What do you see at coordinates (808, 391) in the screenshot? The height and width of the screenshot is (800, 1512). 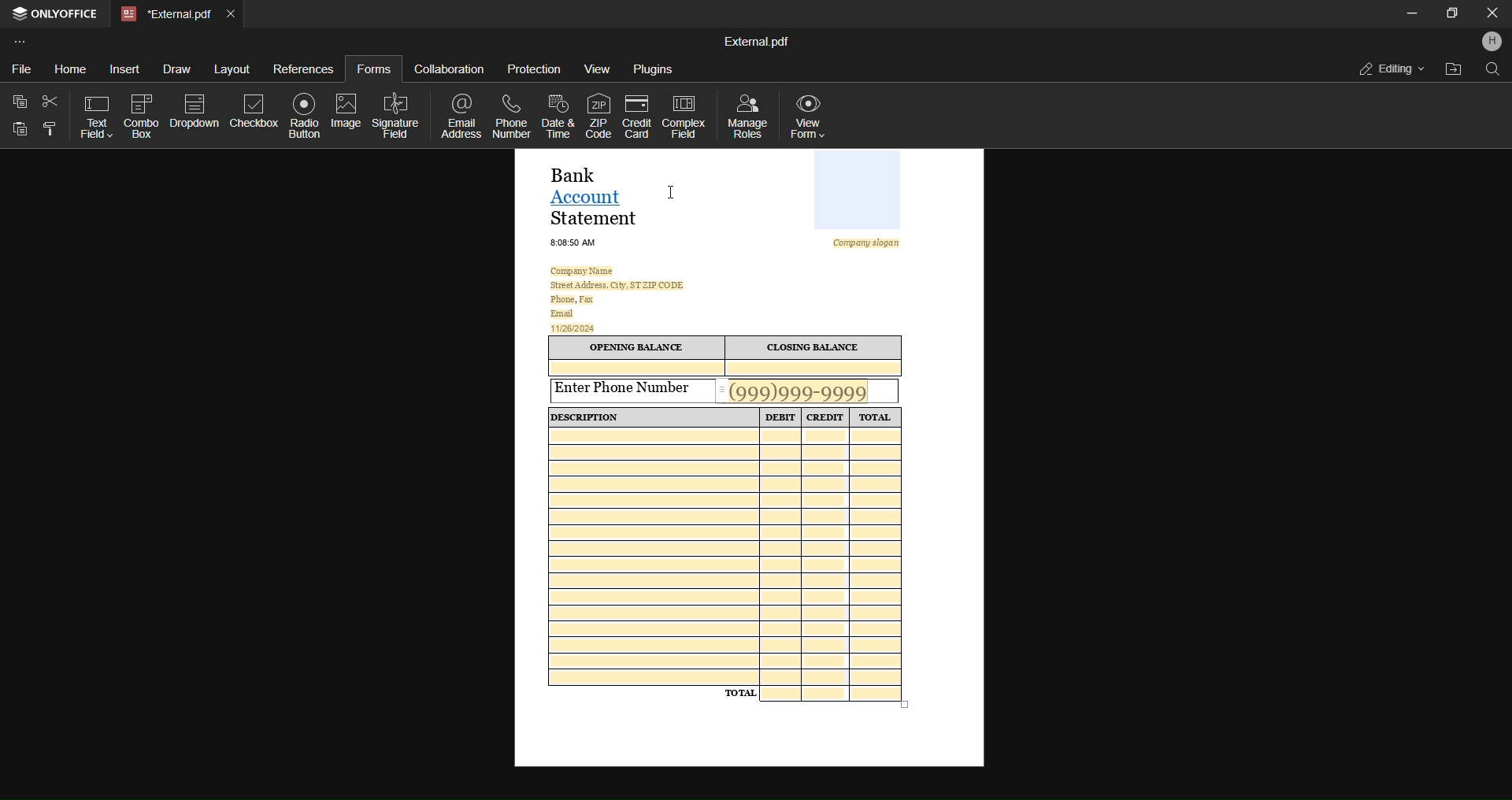 I see `Phone number field added` at bounding box center [808, 391].